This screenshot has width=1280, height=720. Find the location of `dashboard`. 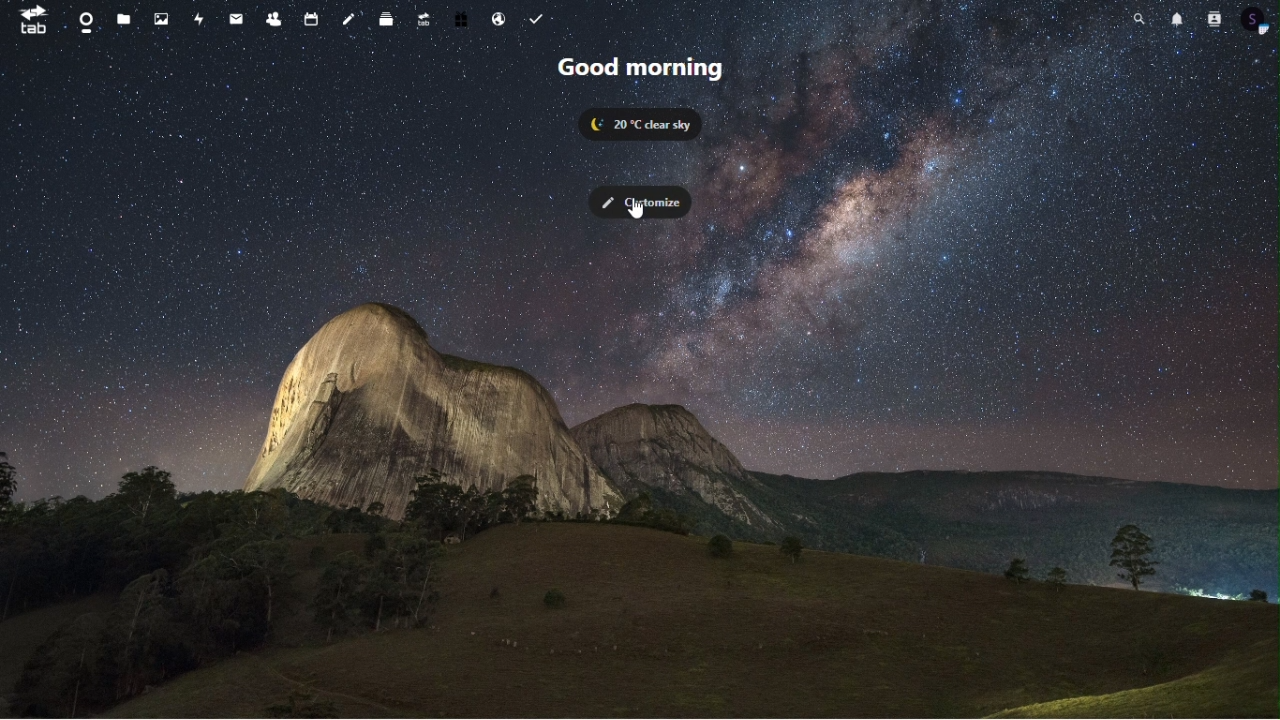

dashboard is located at coordinates (80, 19).